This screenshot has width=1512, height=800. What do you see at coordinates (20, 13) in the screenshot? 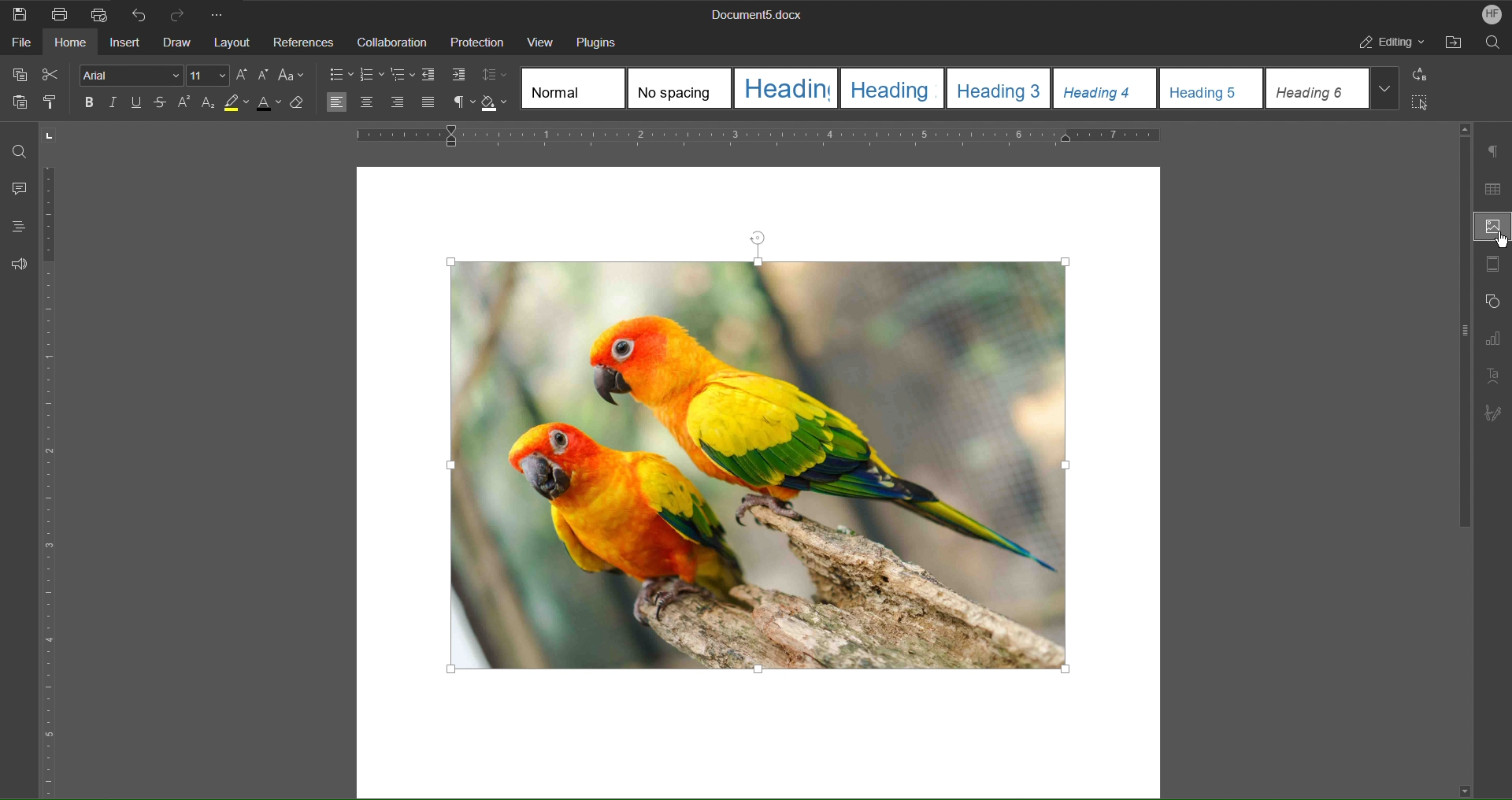
I see `Save` at bounding box center [20, 13].